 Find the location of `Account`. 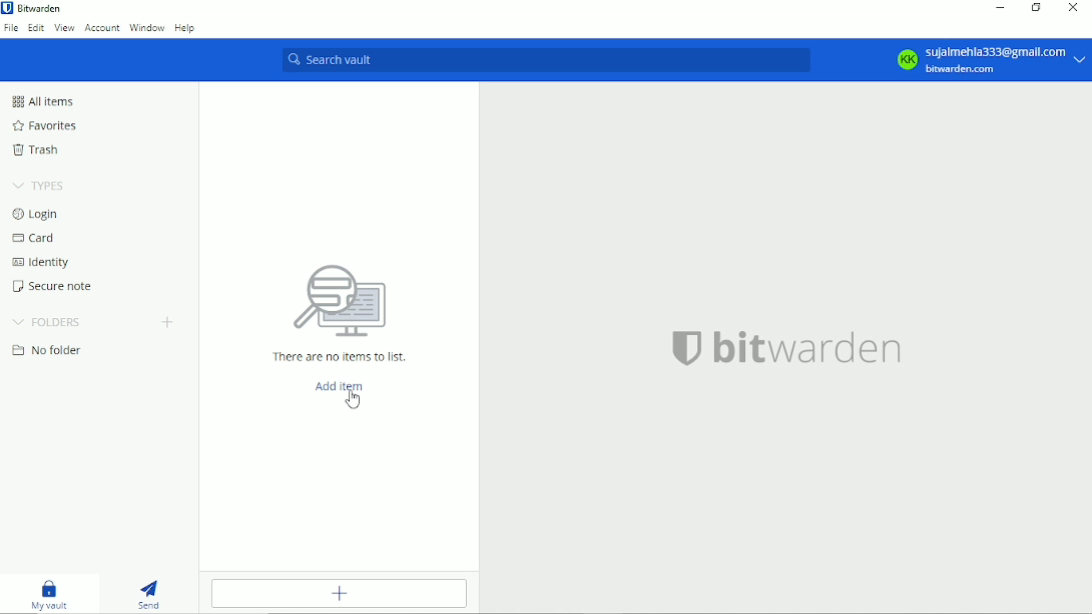

Account is located at coordinates (102, 28).